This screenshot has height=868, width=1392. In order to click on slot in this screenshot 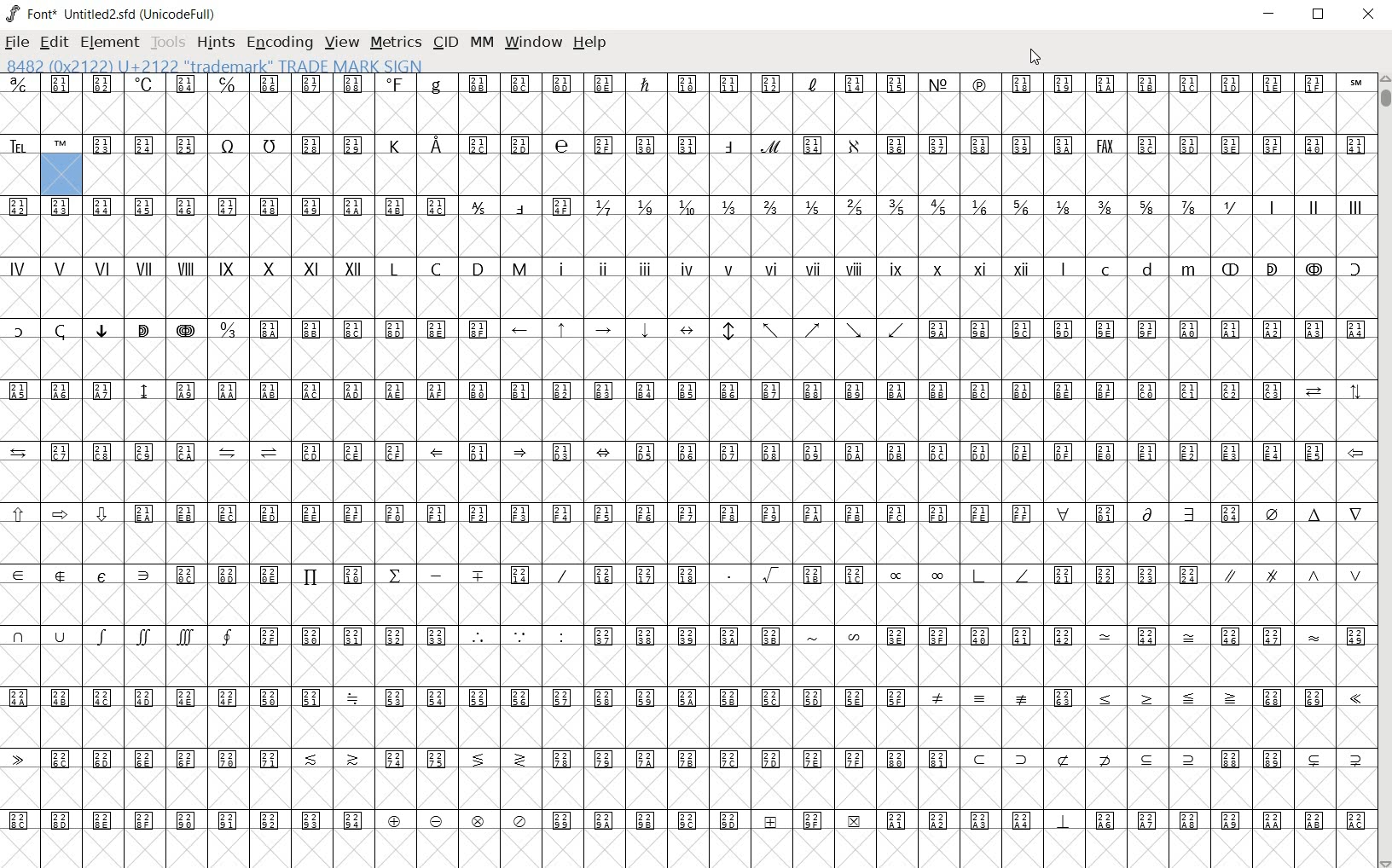, I will do `click(687, 849)`.